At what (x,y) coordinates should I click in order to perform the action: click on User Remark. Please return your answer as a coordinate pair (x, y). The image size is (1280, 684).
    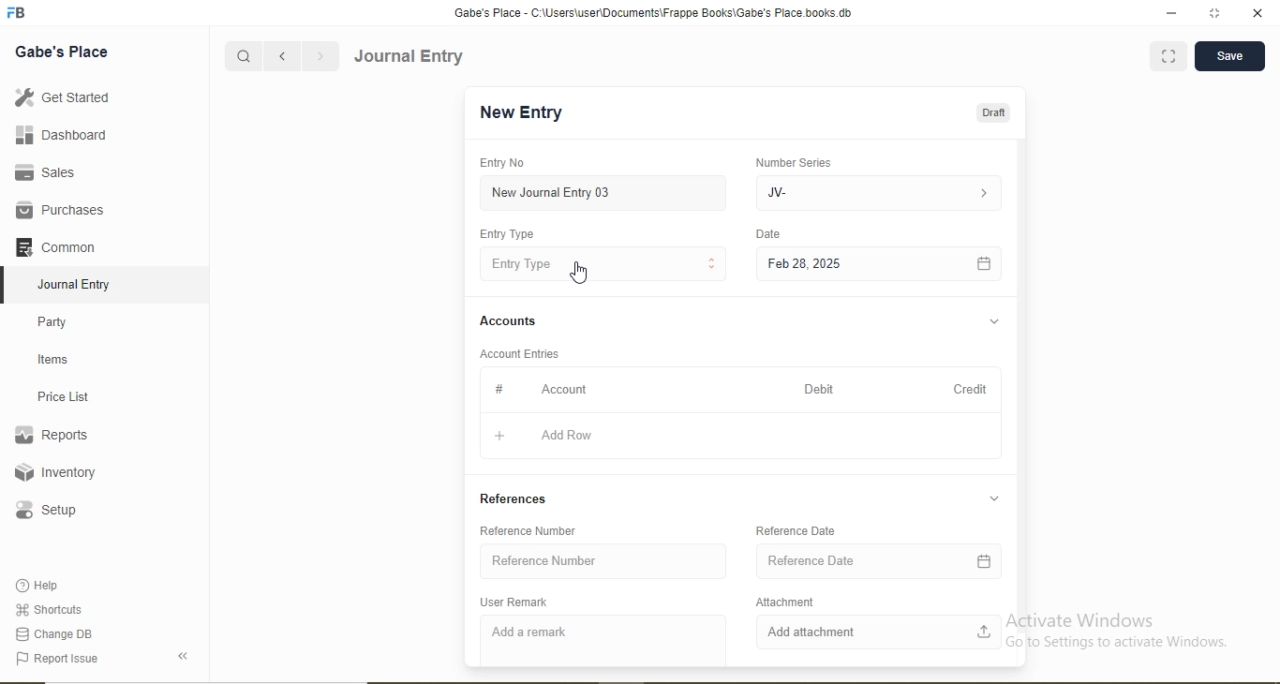
    Looking at the image, I should click on (513, 602).